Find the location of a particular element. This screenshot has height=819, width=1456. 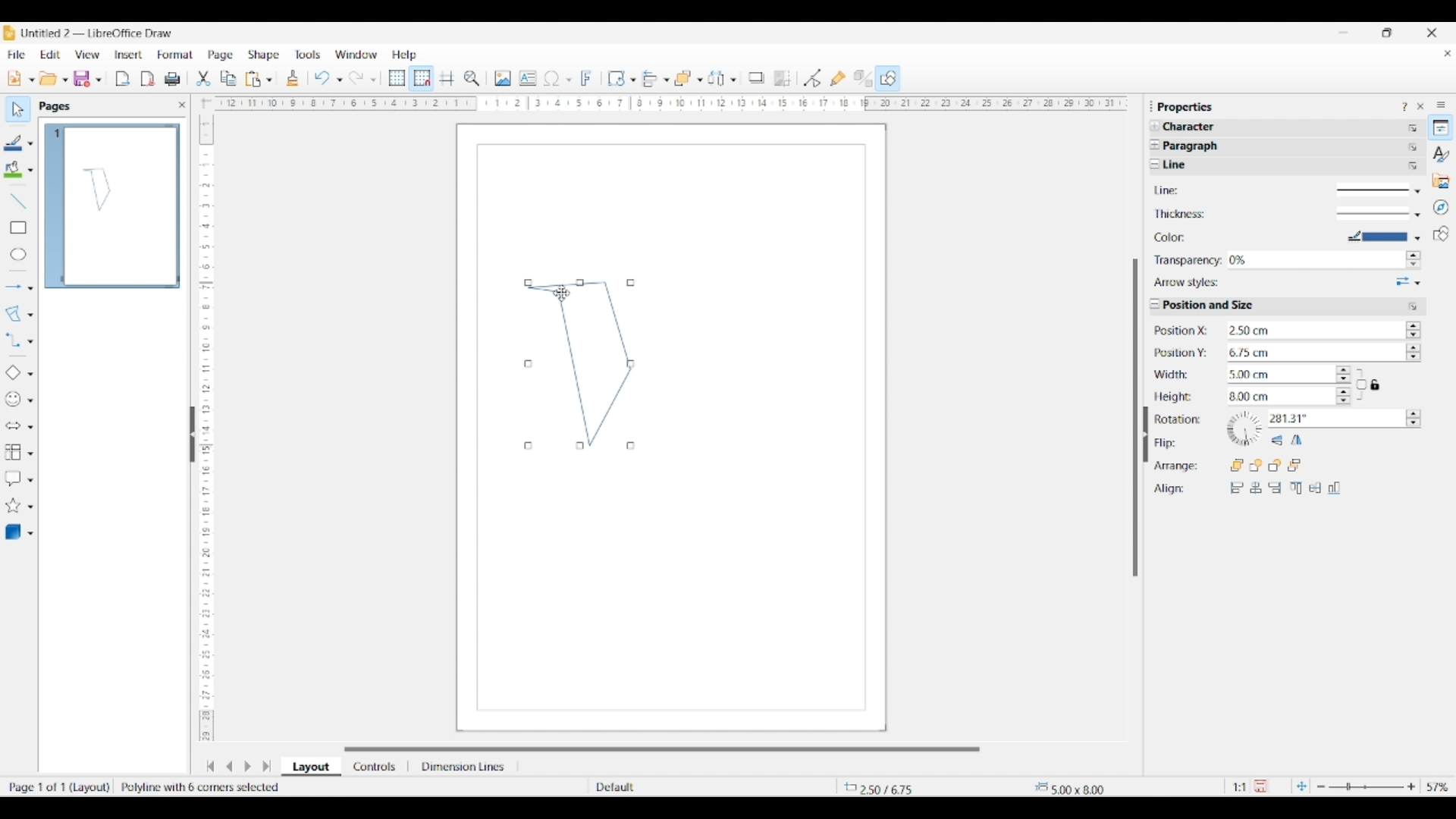

Project and software name is located at coordinates (98, 33).